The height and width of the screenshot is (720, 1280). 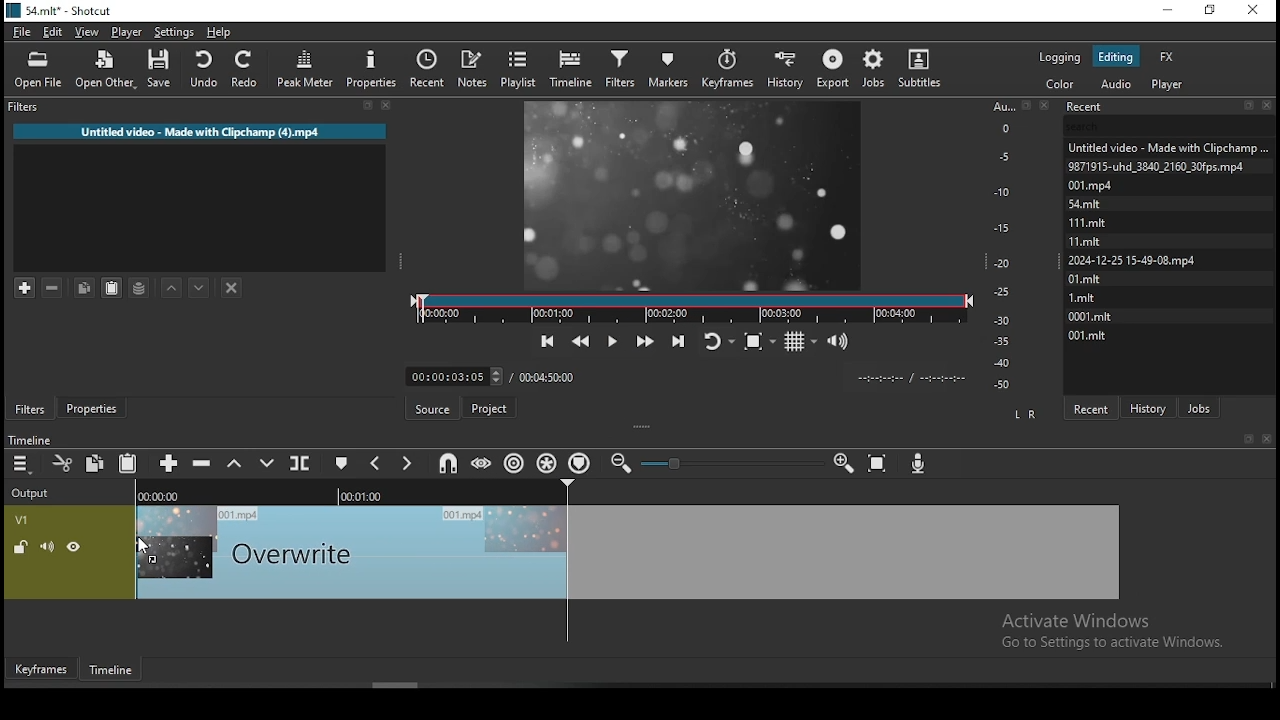 What do you see at coordinates (94, 462) in the screenshot?
I see `copy` at bounding box center [94, 462].